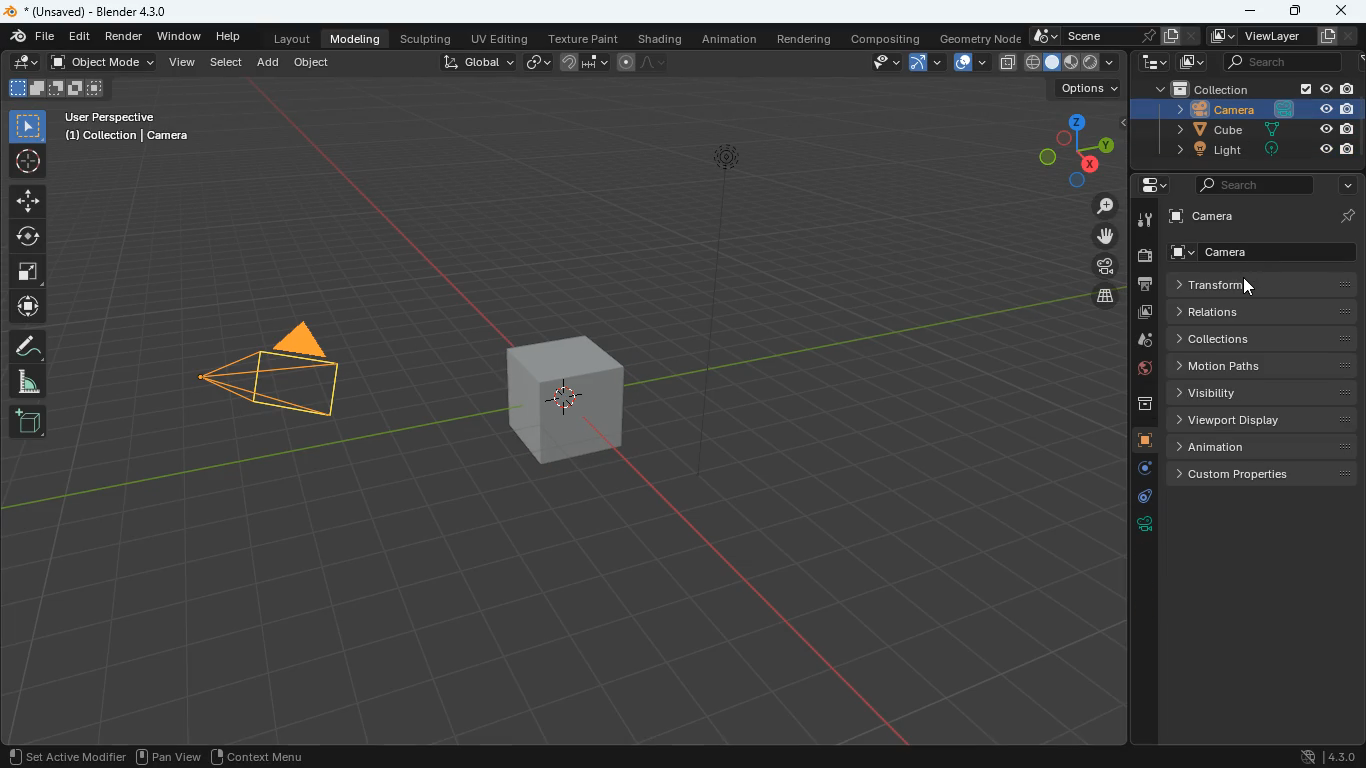 The image size is (1366, 768). I want to click on compositing, so click(890, 37).